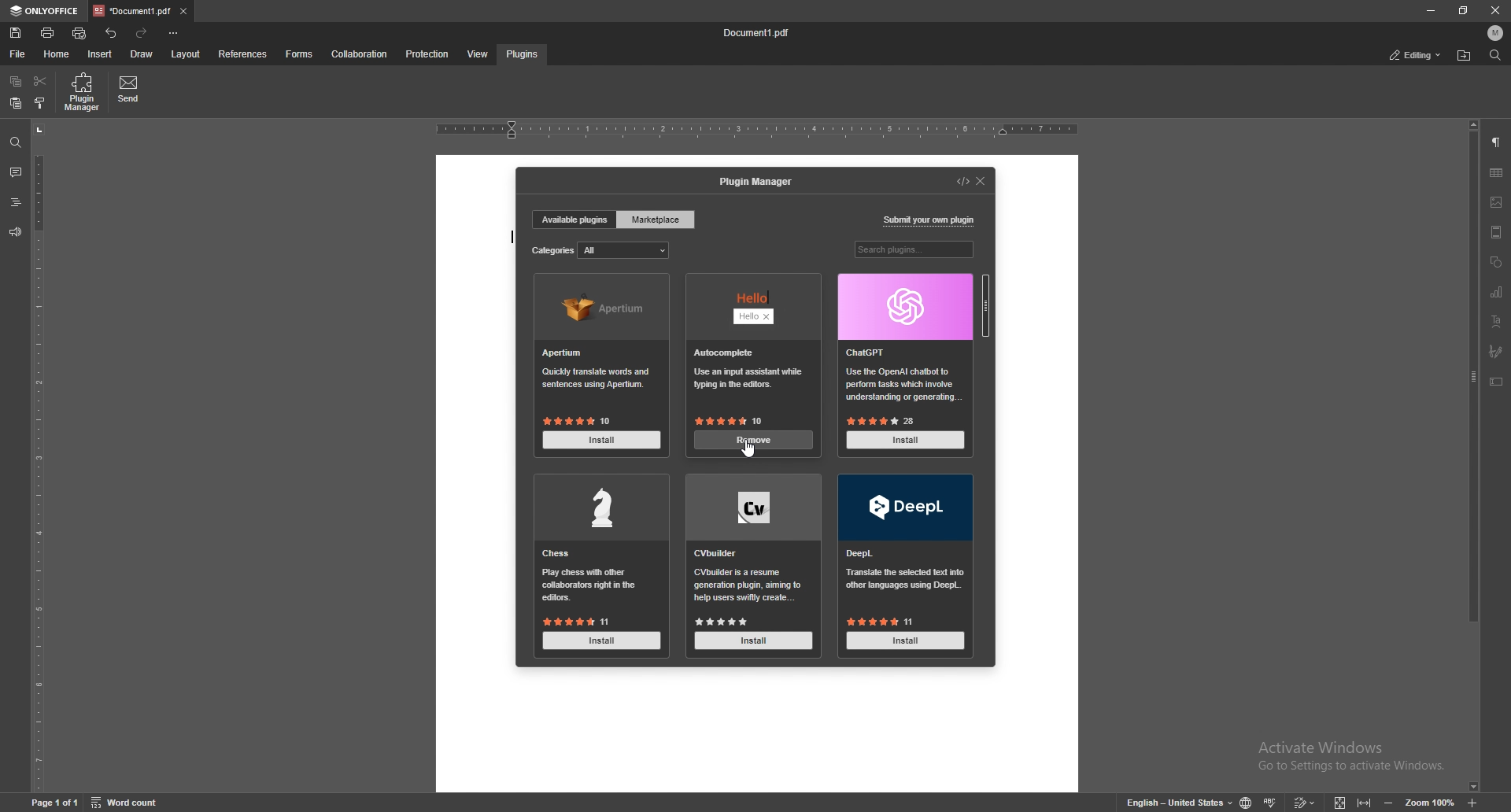 This screenshot has width=1511, height=812. I want to click on vertical scale, so click(39, 457).